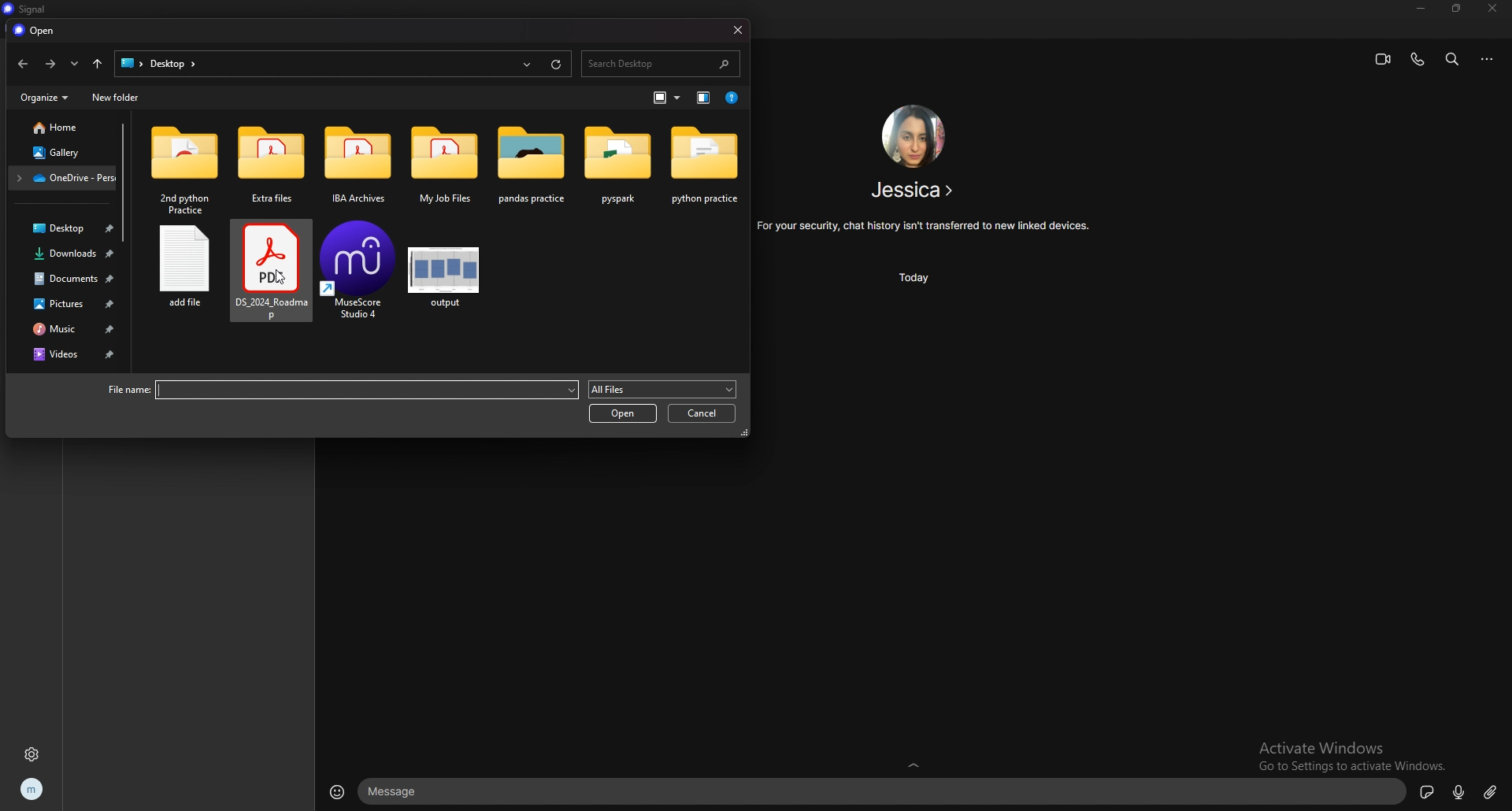  What do you see at coordinates (701, 413) in the screenshot?
I see `cancel` at bounding box center [701, 413].